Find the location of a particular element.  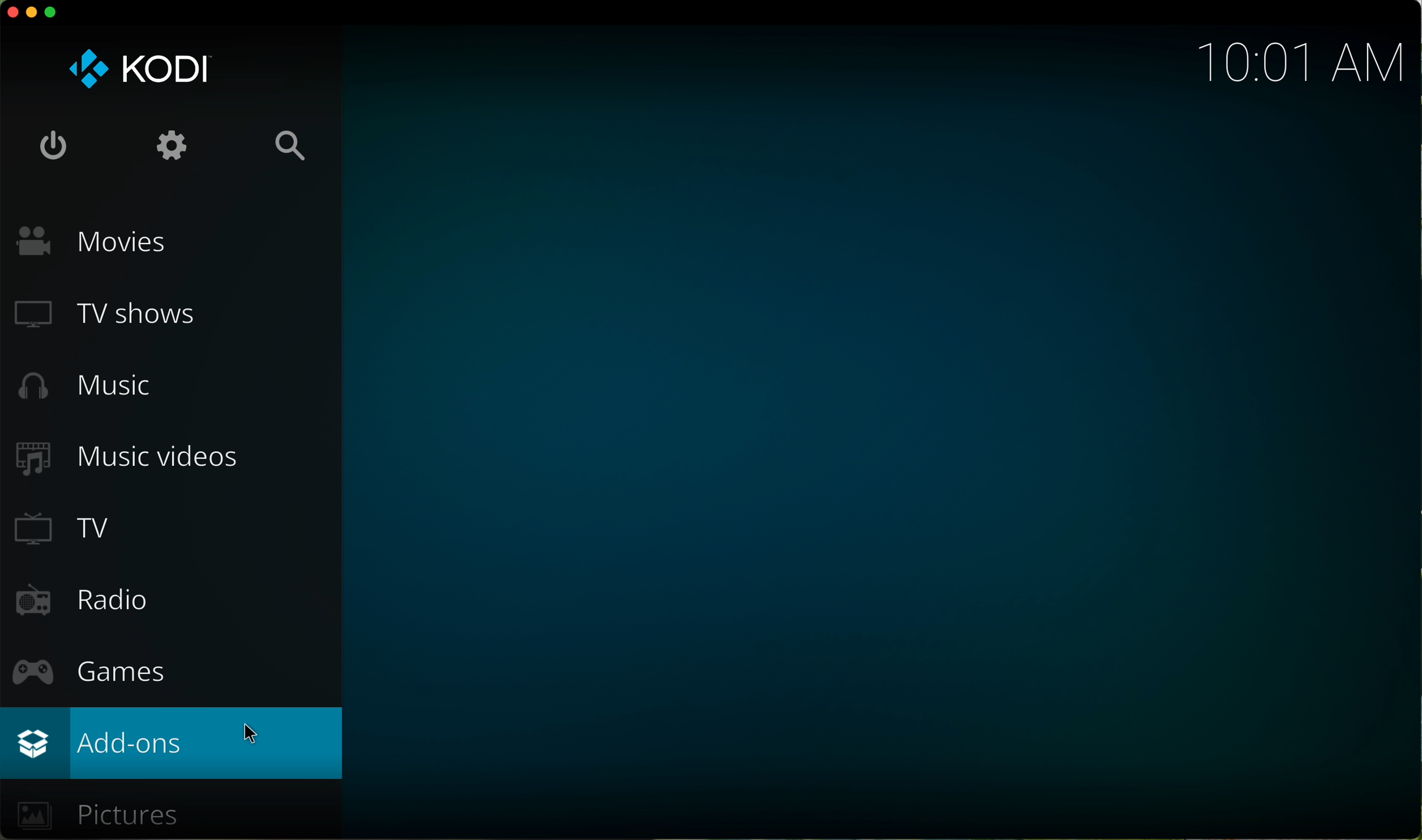

movies is located at coordinates (89, 241).